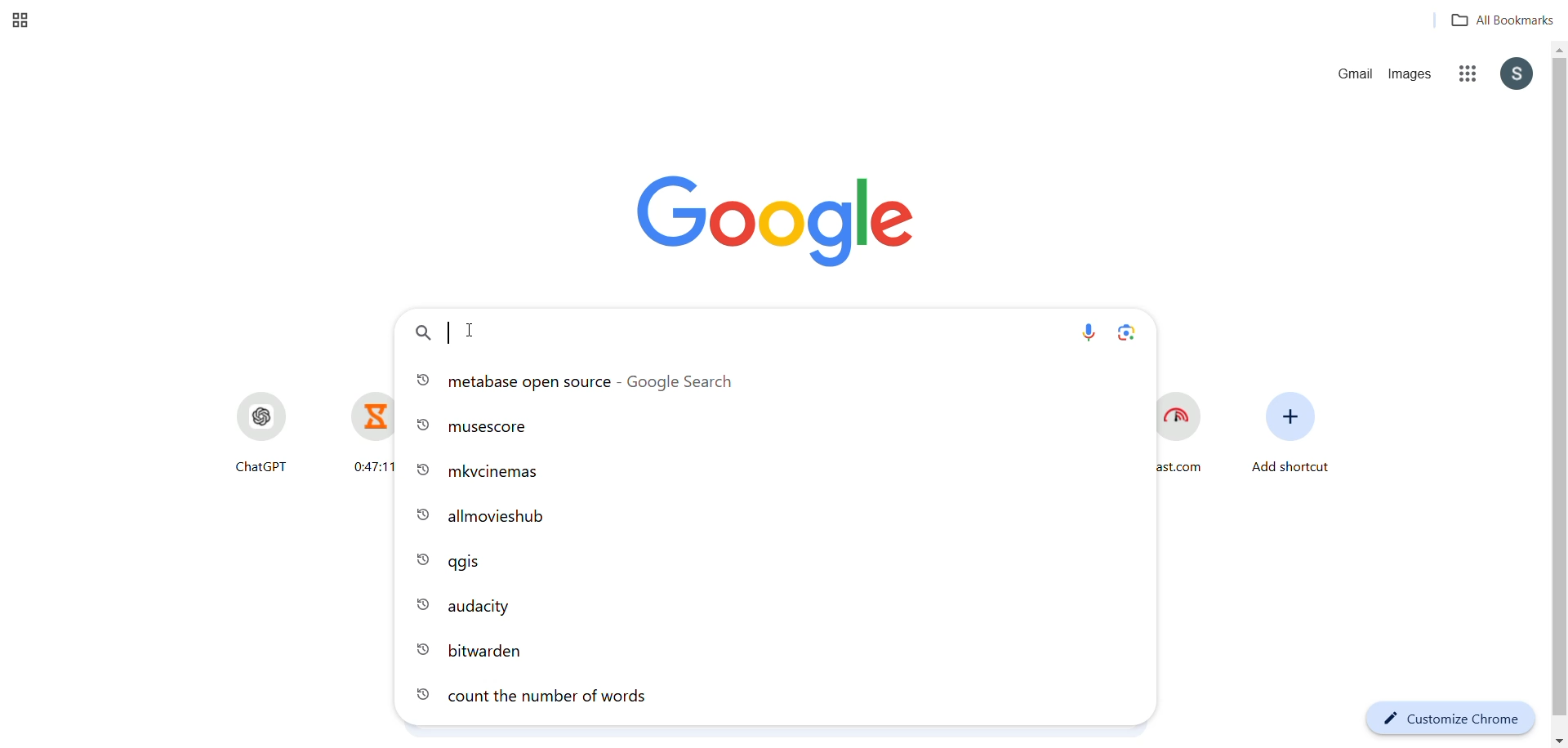  I want to click on search logo, so click(422, 335).